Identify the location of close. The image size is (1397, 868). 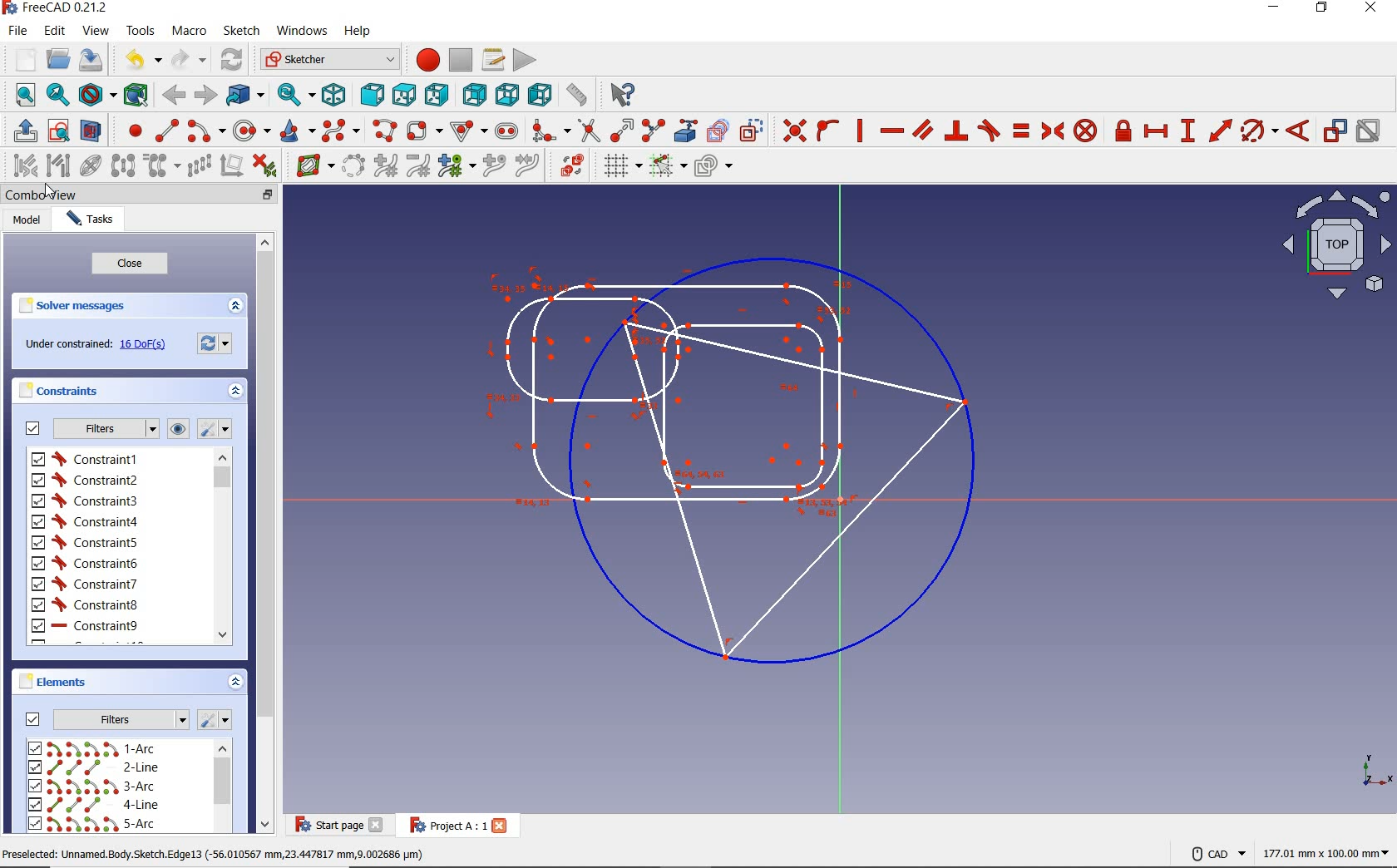
(378, 825).